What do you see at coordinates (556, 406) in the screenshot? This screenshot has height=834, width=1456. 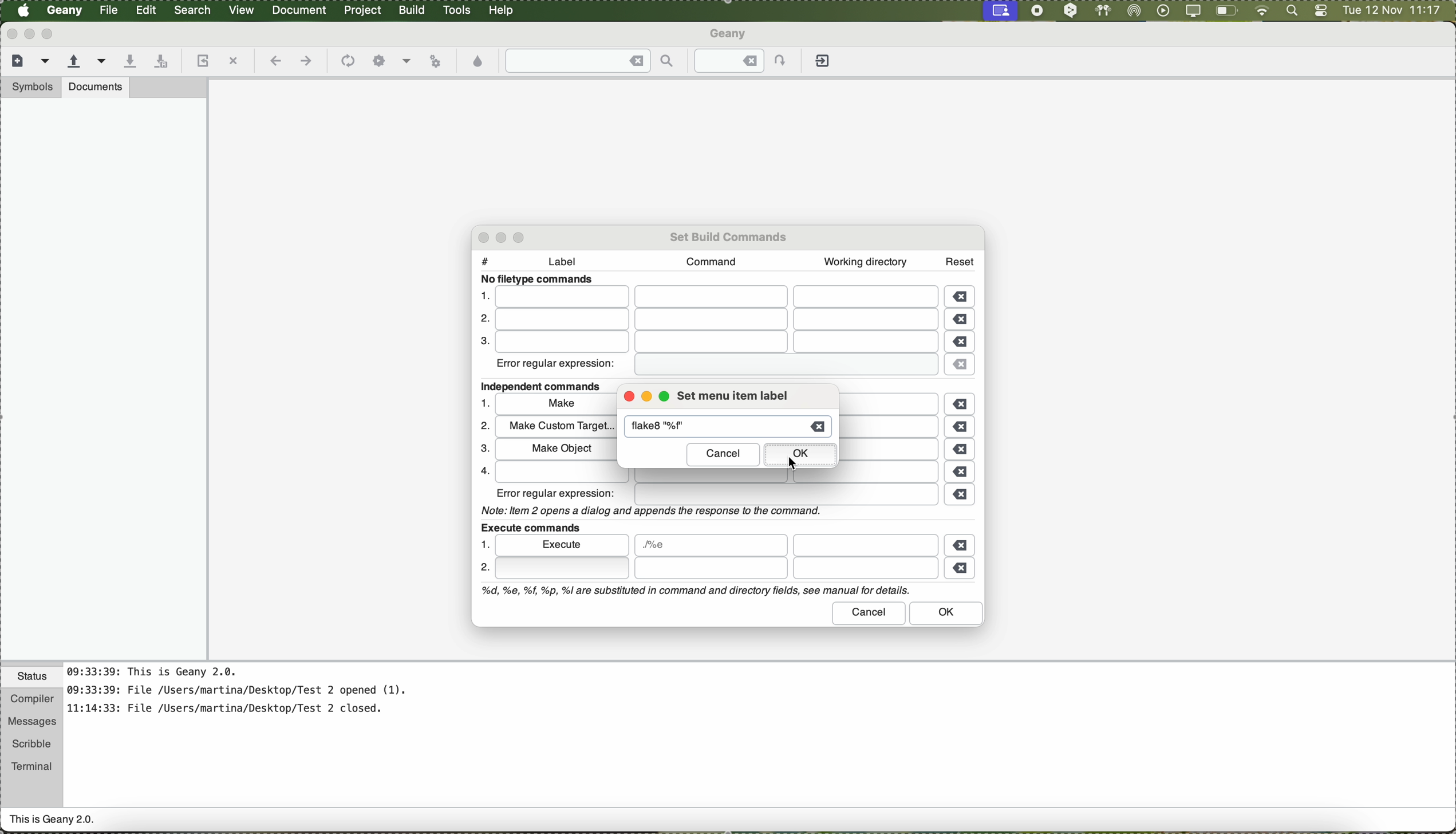 I see `make` at bounding box center [556, 406].